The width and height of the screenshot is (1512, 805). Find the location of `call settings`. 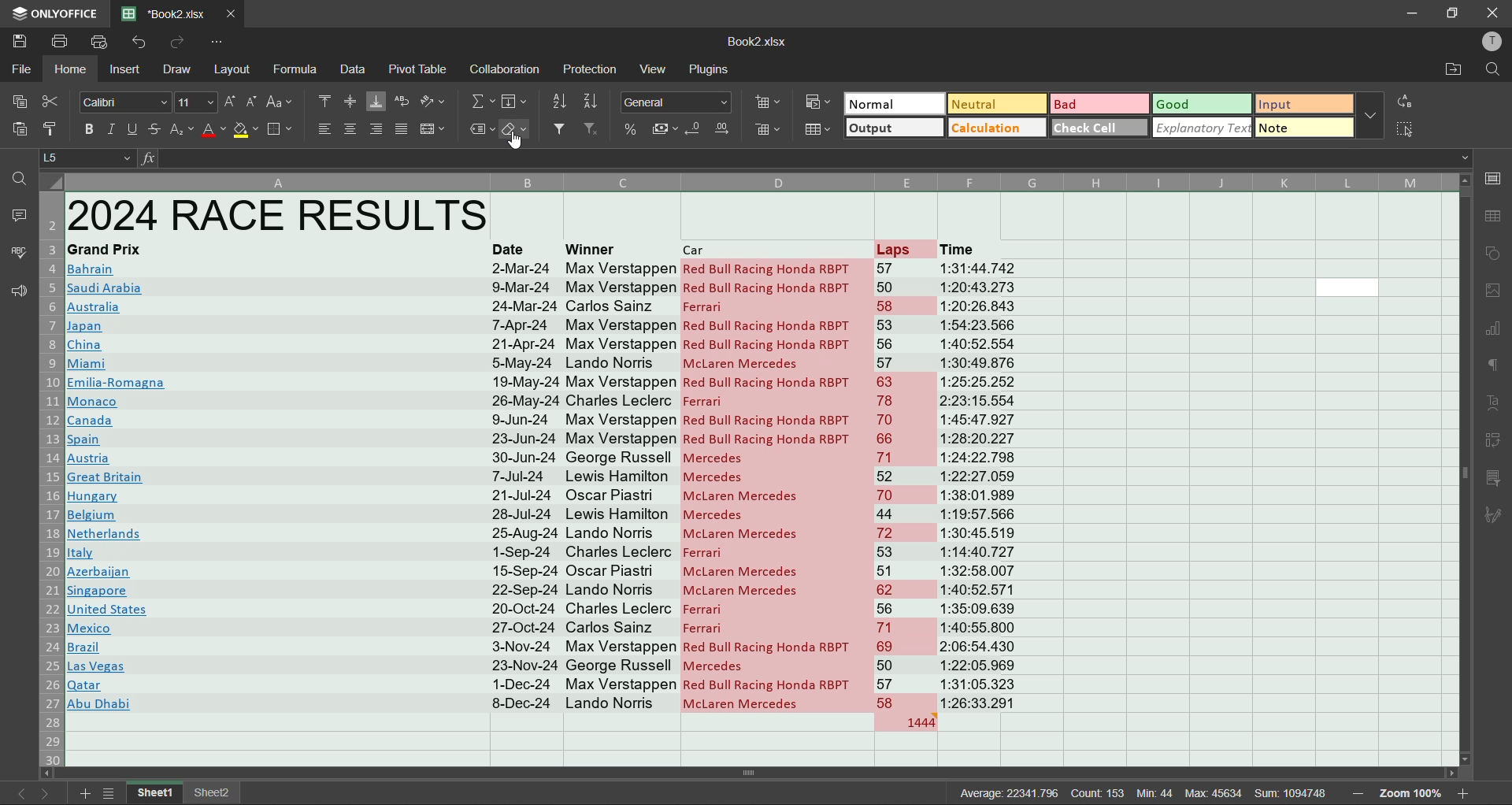

call settings is located at coordinates (1492, 178).